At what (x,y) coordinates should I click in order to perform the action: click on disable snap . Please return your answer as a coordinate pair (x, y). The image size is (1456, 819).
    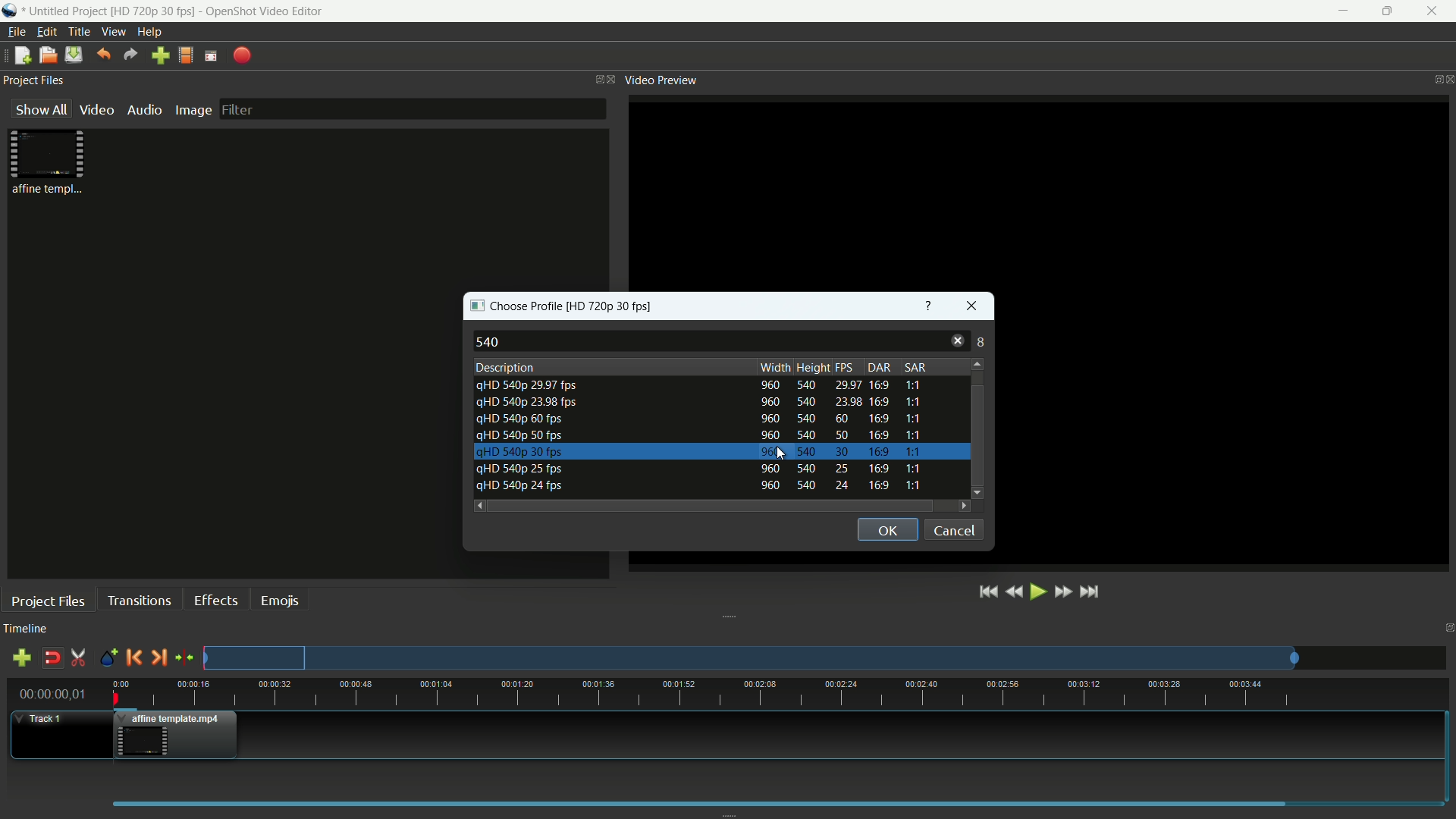
    Looking at the image, I should click on (52, 659).